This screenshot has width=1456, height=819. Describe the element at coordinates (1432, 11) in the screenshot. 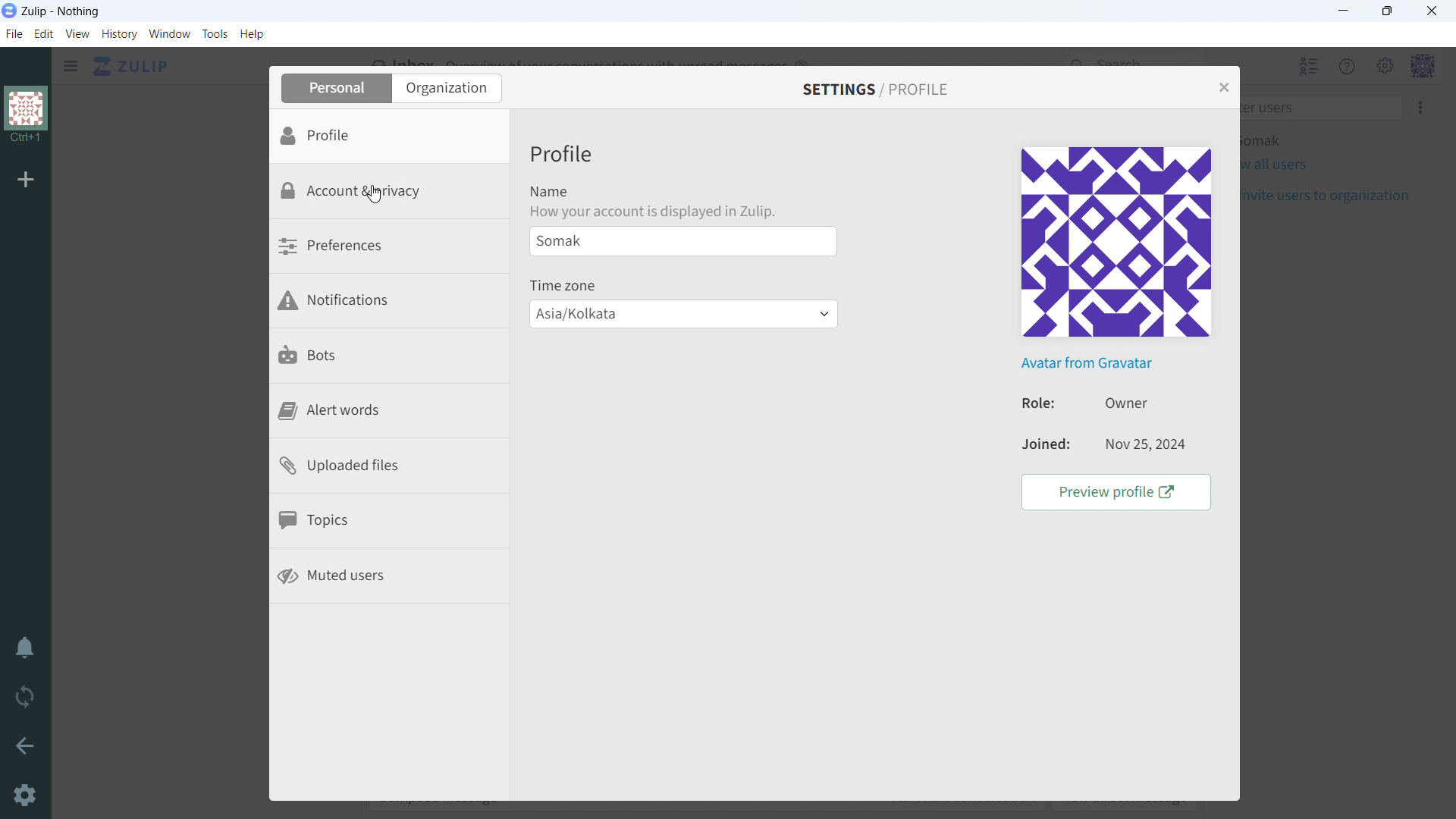

I see `close` at that location.